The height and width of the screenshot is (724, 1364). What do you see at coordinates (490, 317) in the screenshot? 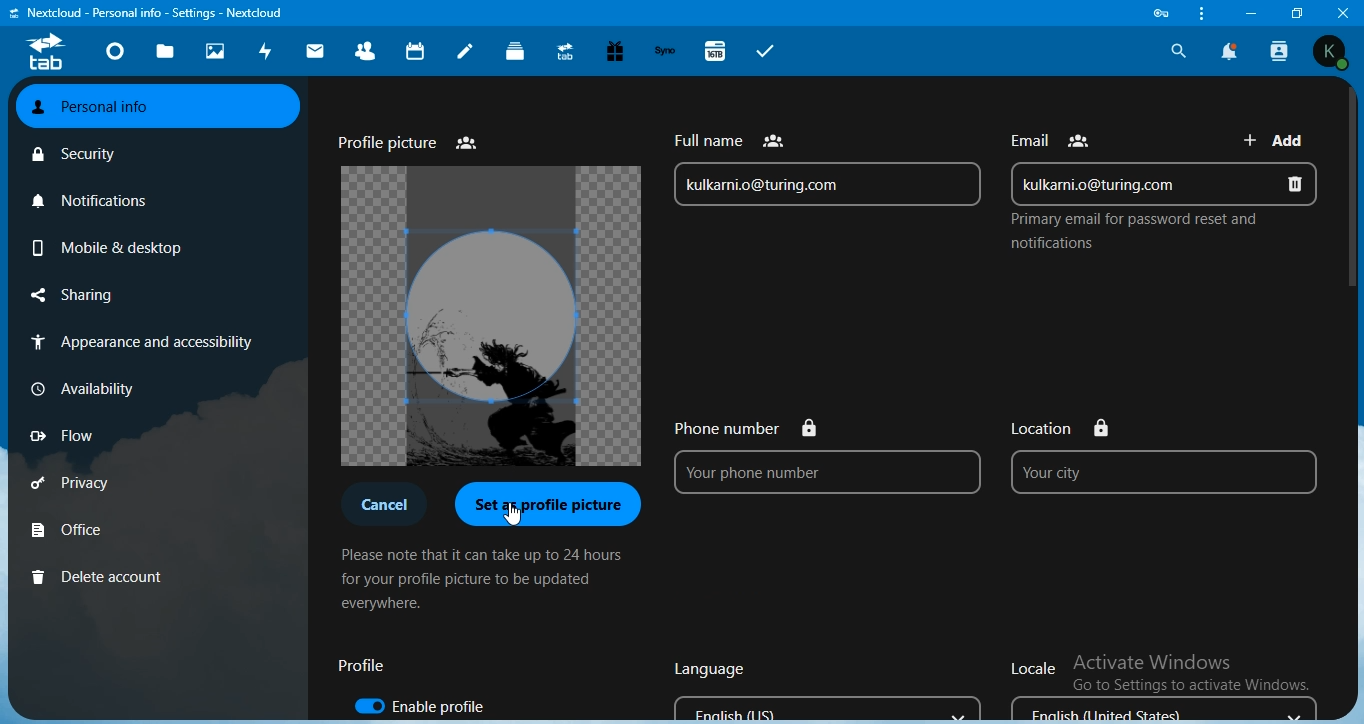
I see `image` at bounding box center [490, 317].